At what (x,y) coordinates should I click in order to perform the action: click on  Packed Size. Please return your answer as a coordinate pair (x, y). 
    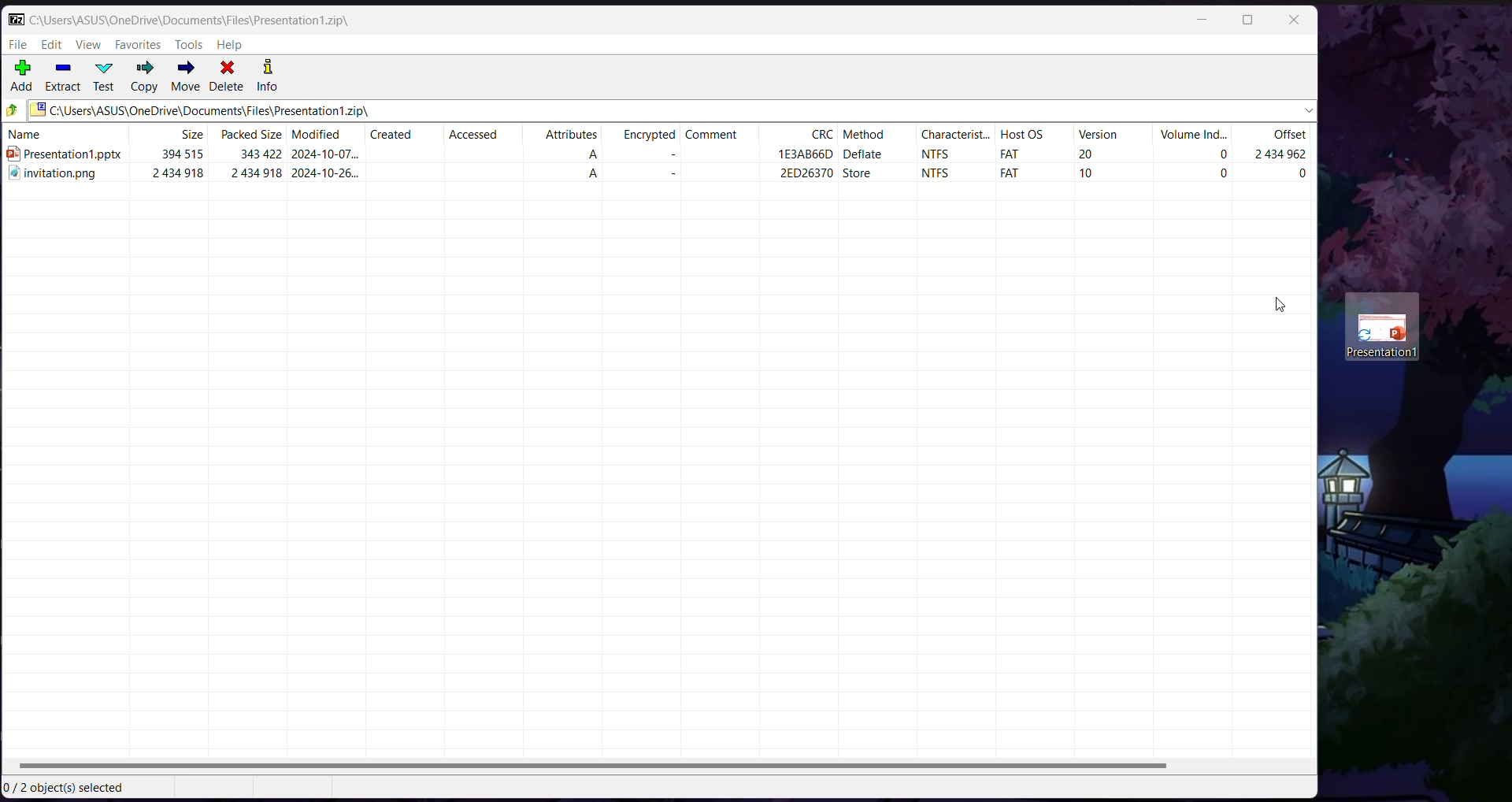
    Looking at the image, I should click on (249, 136).